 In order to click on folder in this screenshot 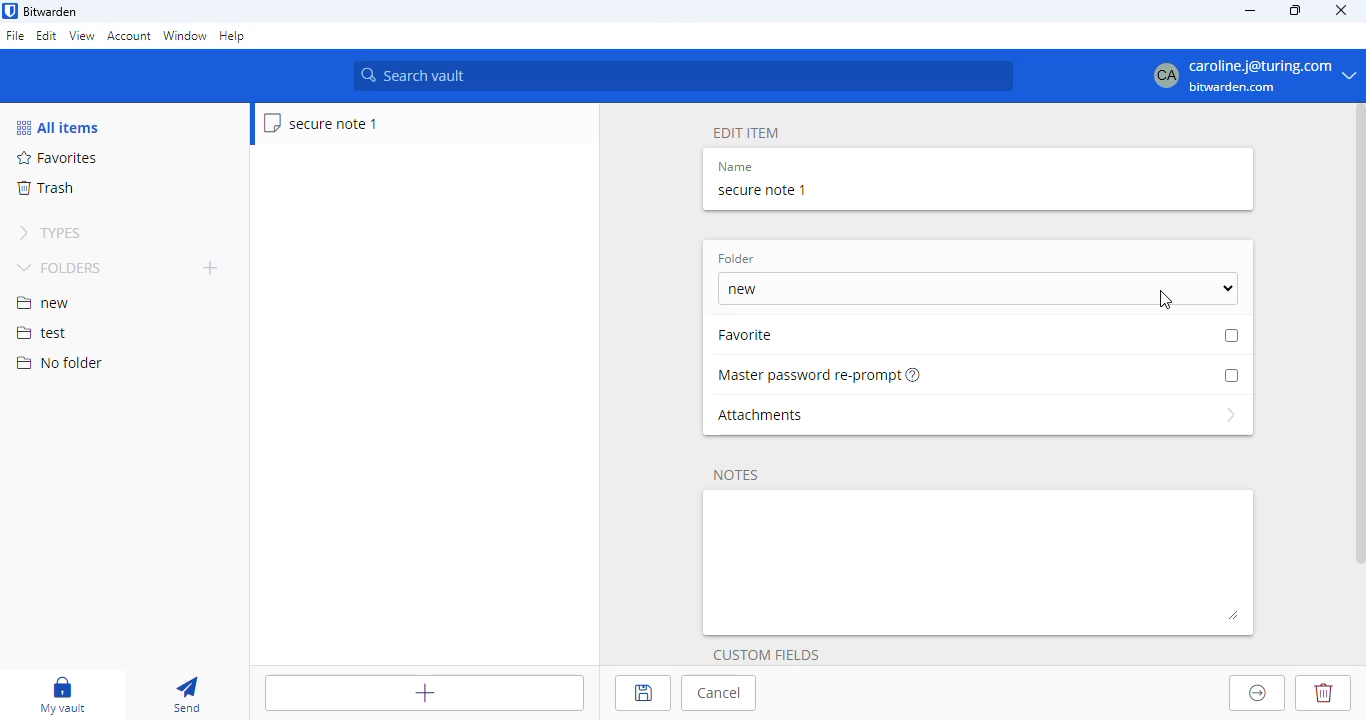, I will do `click(736, 259)`.